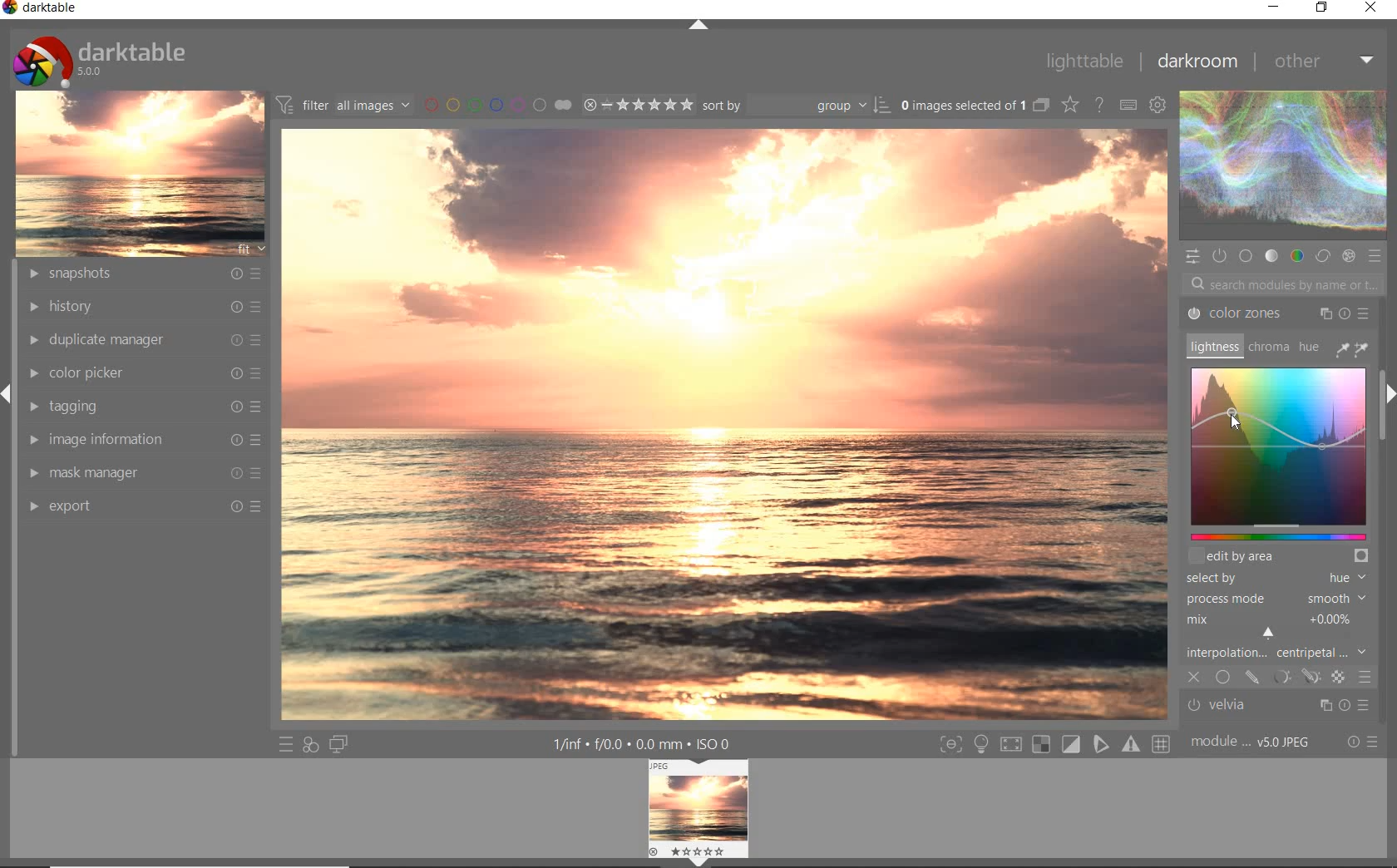  What do you see at coordinates (1222, 678) in the screenshot?
I see `UNIFORMLY` at bounding box center [1222, 678].